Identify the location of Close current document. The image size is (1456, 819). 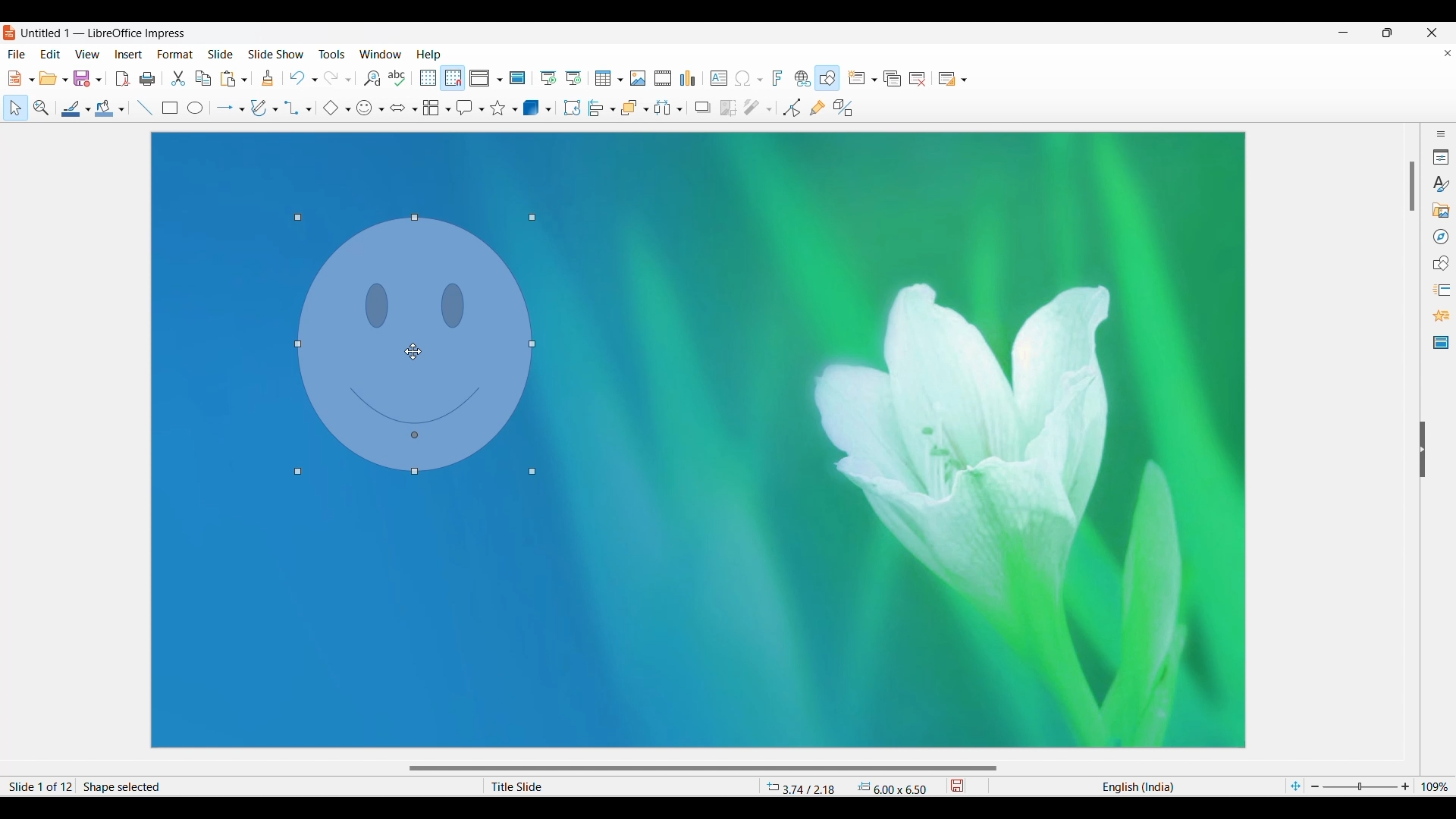
(1448, 53).